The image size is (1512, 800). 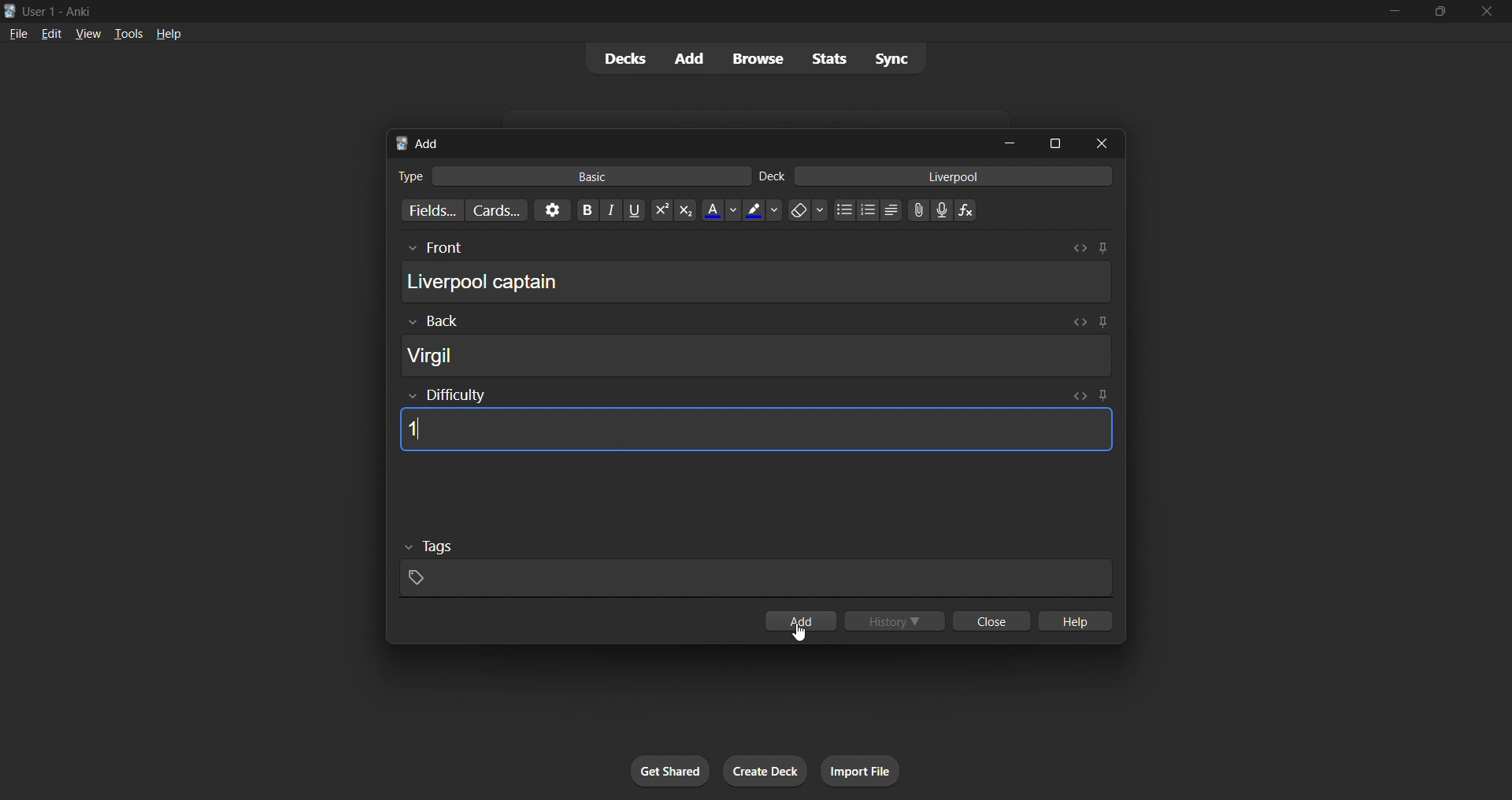 What do you see at coordinates (868, 210) in the screenshot?
I see `Ordered list` at bounding box center [868, 210].